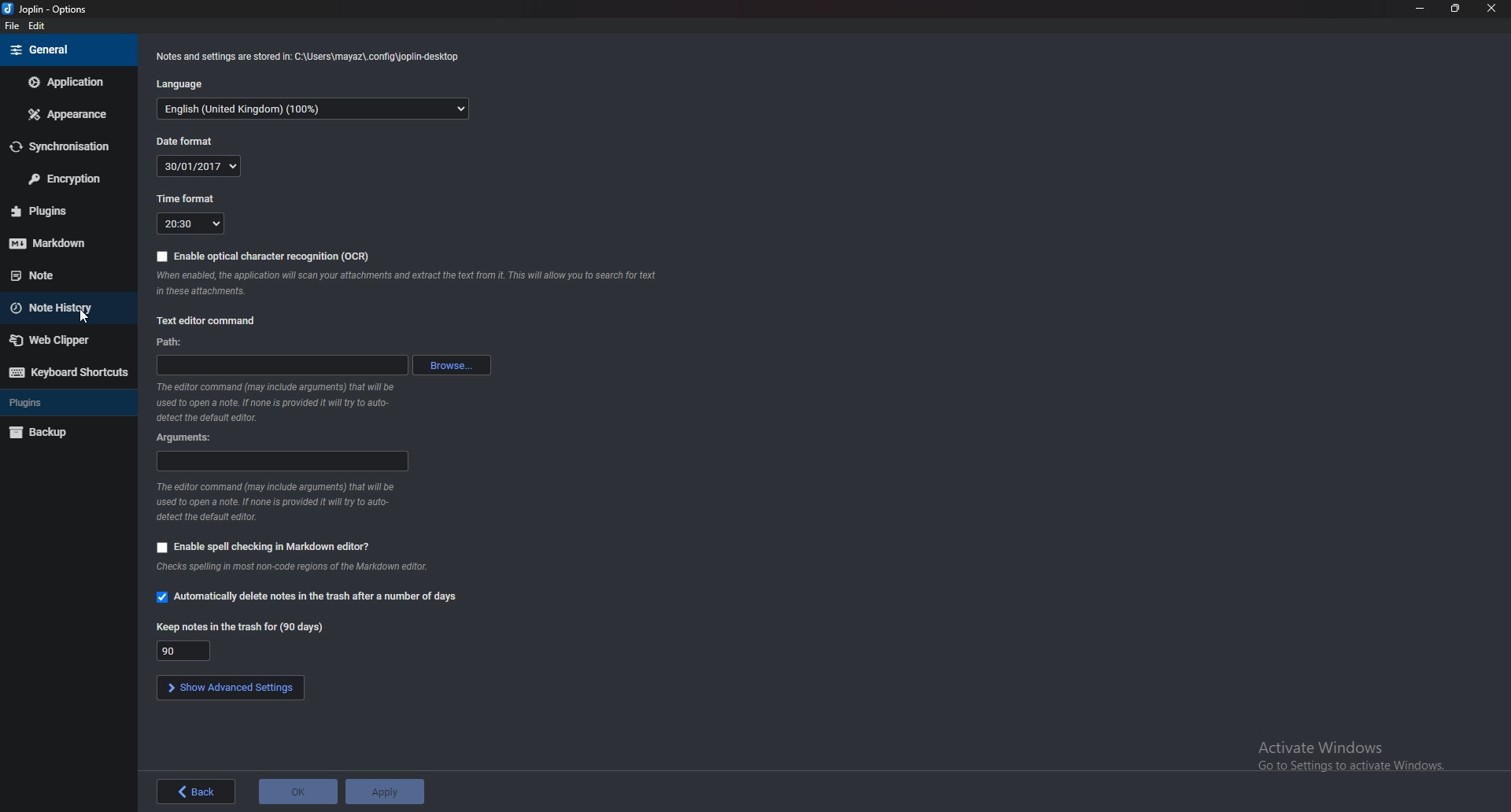 The height and width of the screenshot is (812, 1511). I want to click on Synchronization, so click(68, 146).